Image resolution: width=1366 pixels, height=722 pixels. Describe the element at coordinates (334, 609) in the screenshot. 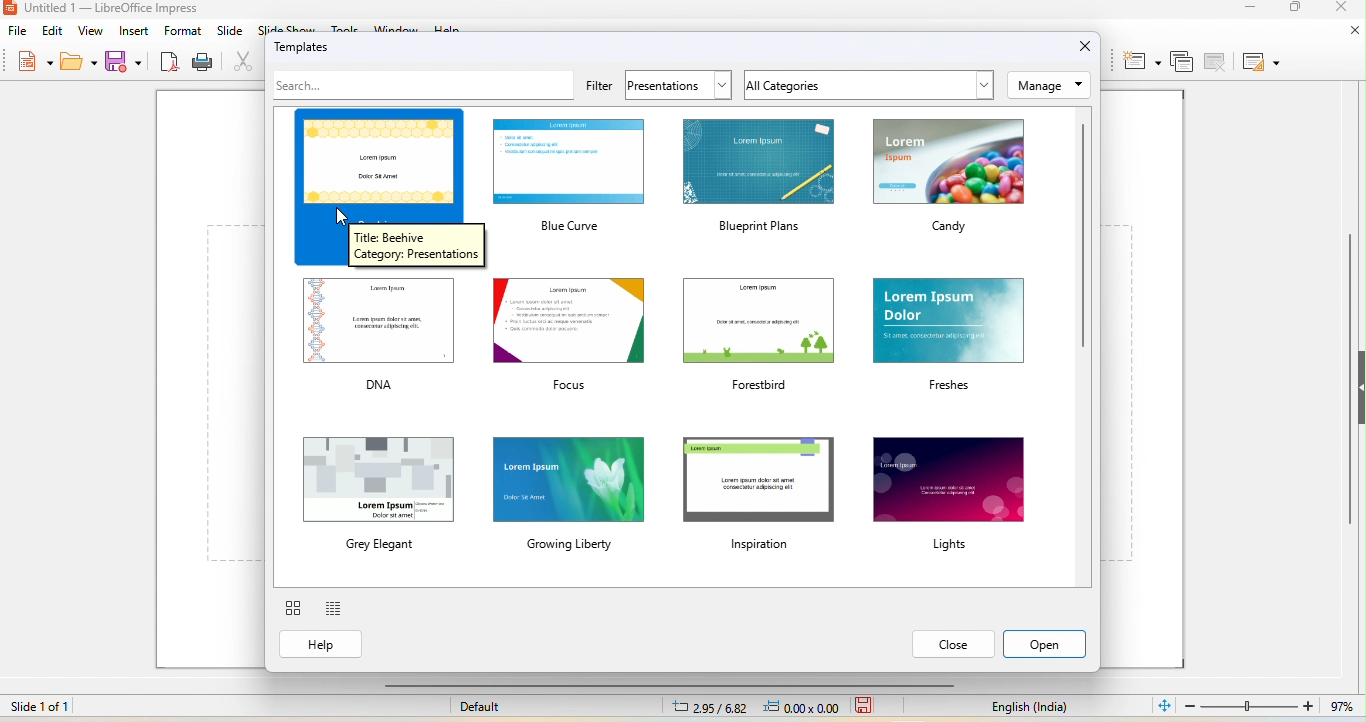

I see `list view` at that location.